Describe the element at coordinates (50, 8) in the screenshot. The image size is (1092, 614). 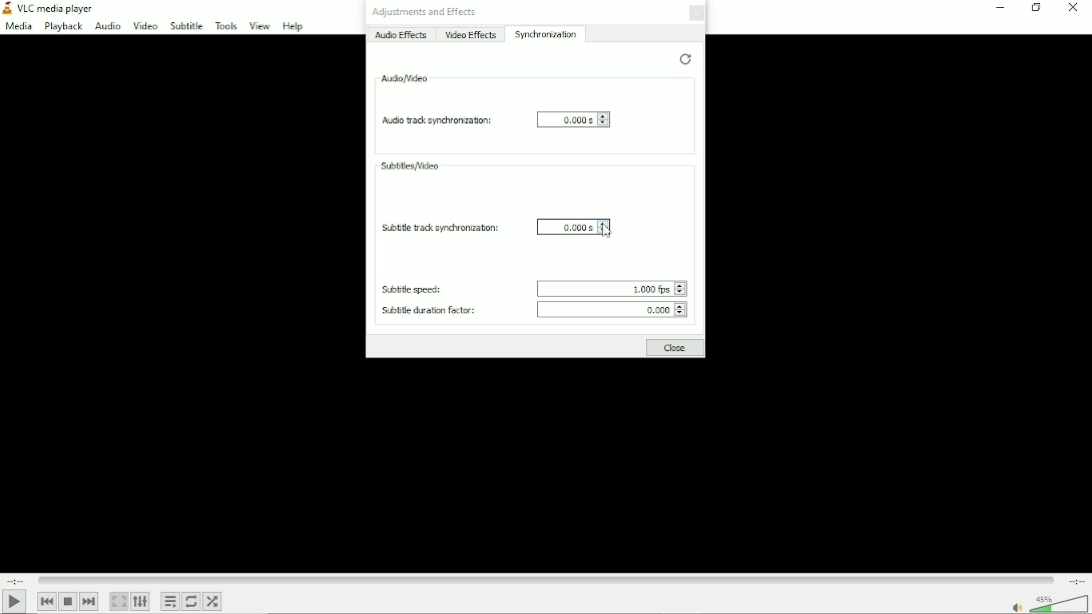
I see `VLC media player` at that location.